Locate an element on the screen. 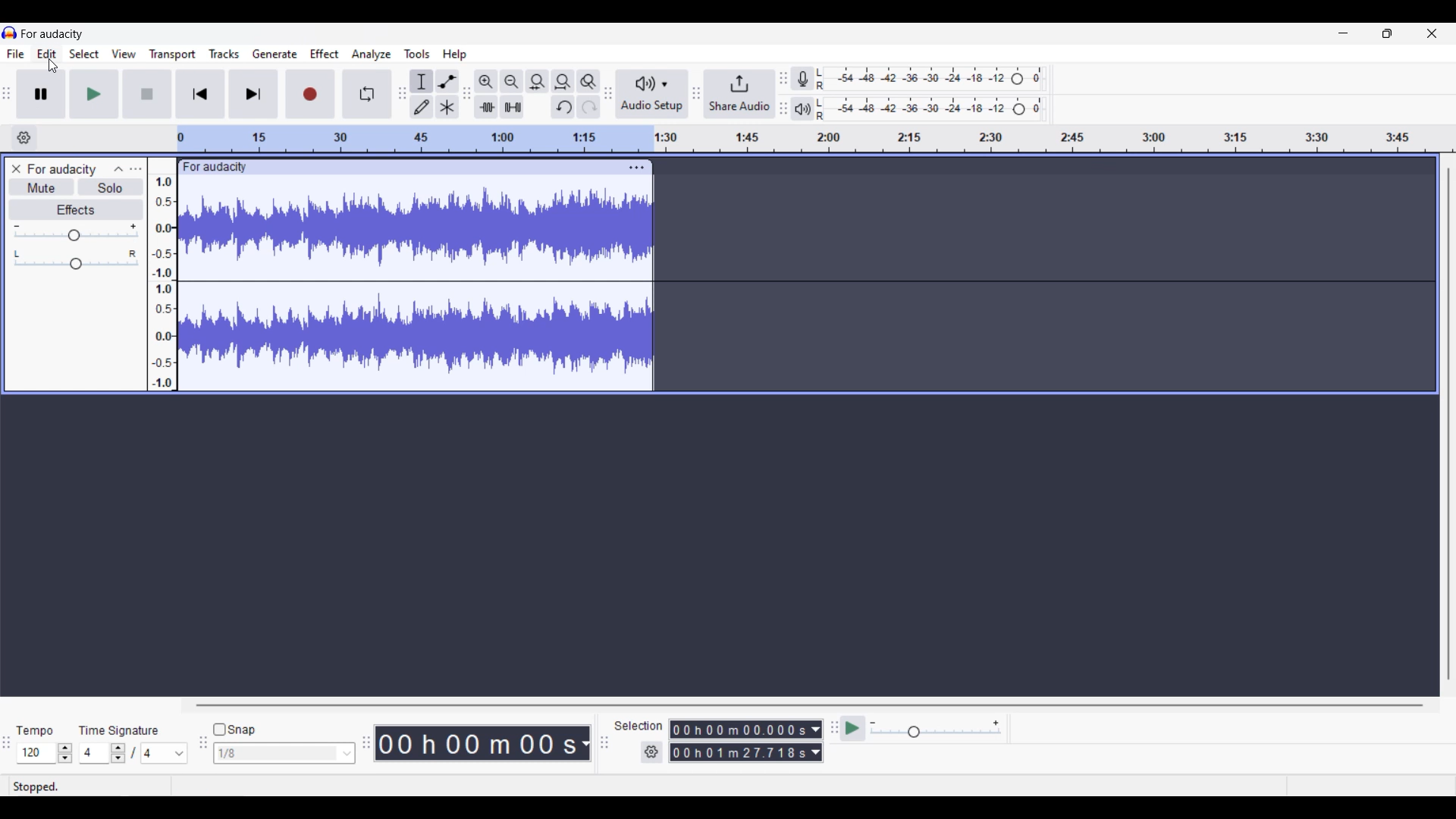 Image resolution: width=1456 pixels, height=819 pixels. Audio setup is located at coordinates (651, 94).